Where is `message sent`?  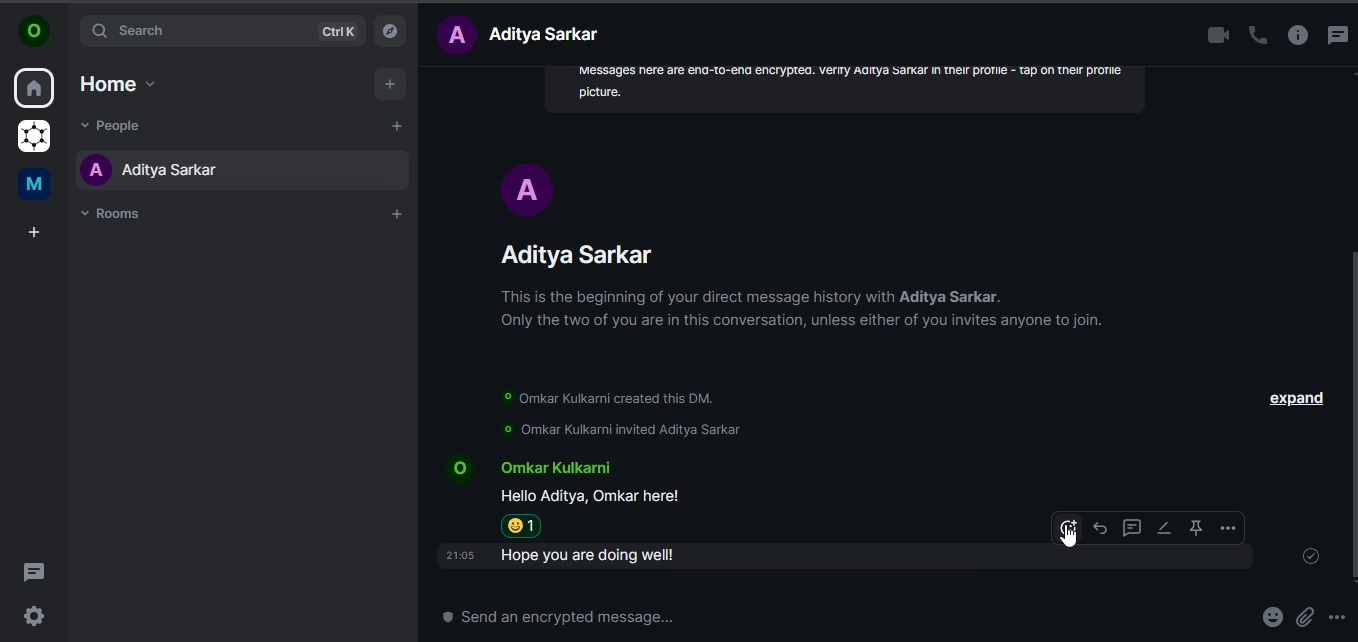
message sent is located at coordinates (1313, 558).